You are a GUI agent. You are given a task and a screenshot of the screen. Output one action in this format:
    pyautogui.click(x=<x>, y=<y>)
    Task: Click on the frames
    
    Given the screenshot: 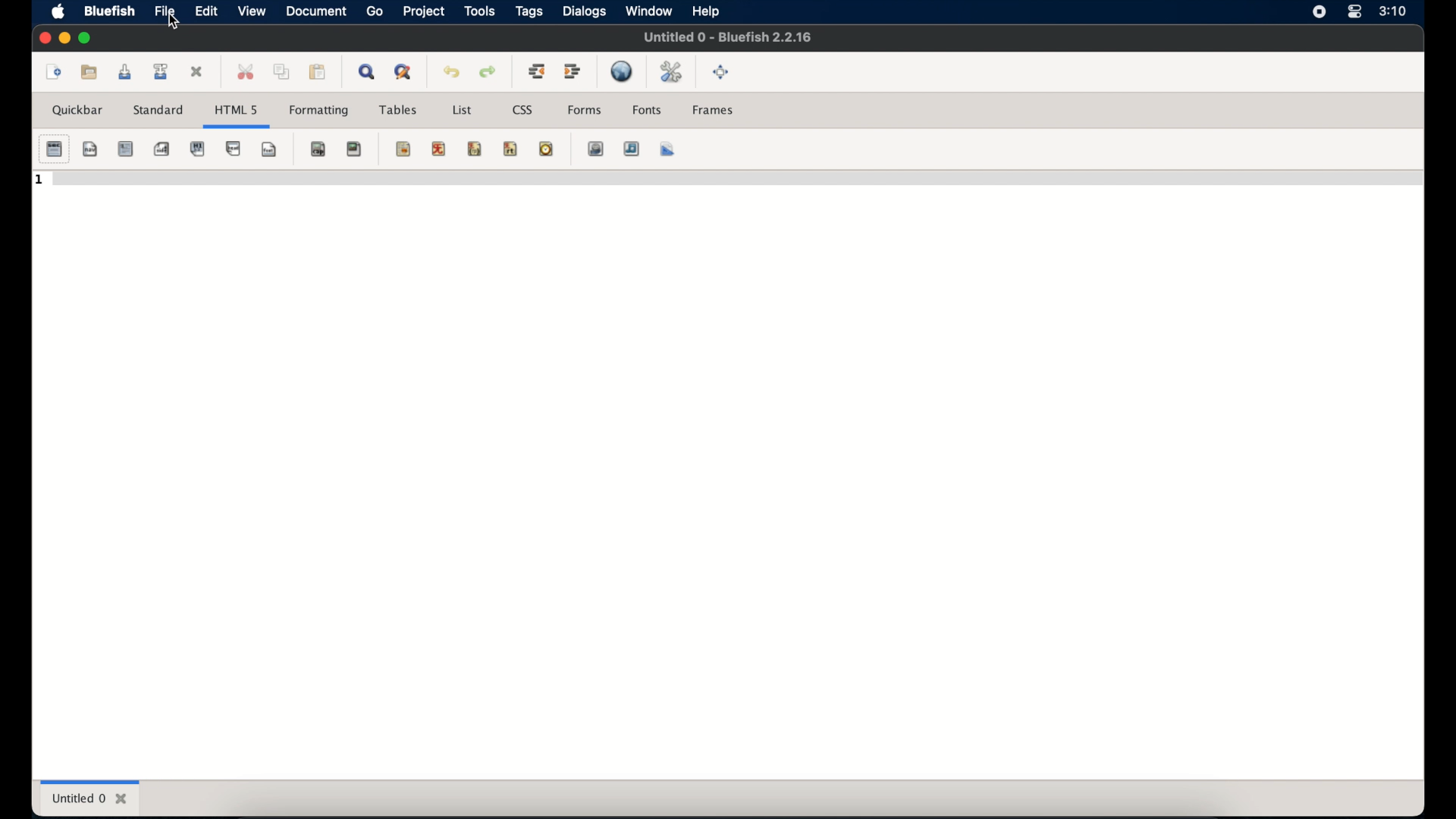 What is the action you would take?
    pyautogui.click(x=714, y=110)
    